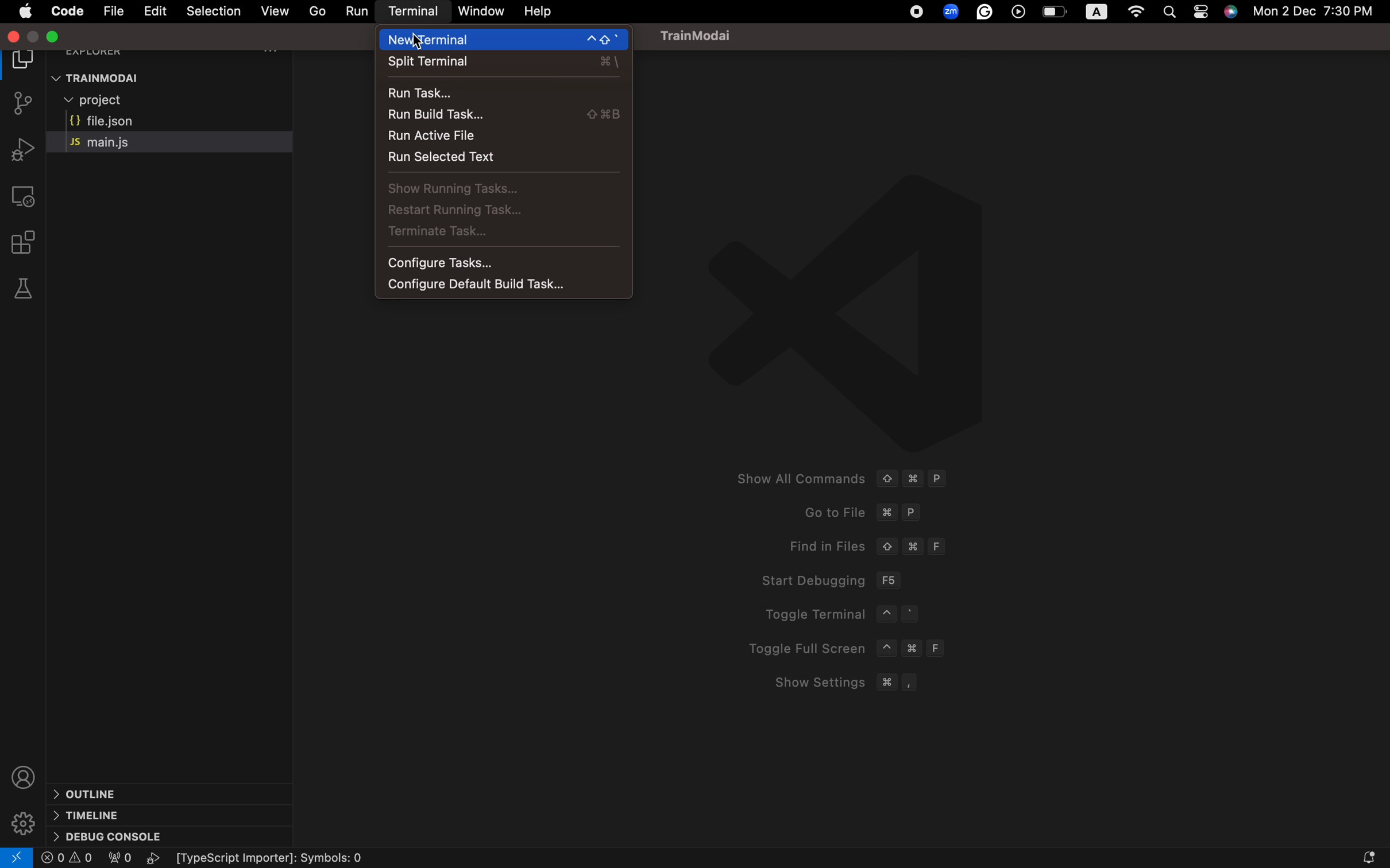 This screenshot has height=868, width=1390. Describe the element at coordinates (1348, 856) in the screenshot. I see `notification` at that location.